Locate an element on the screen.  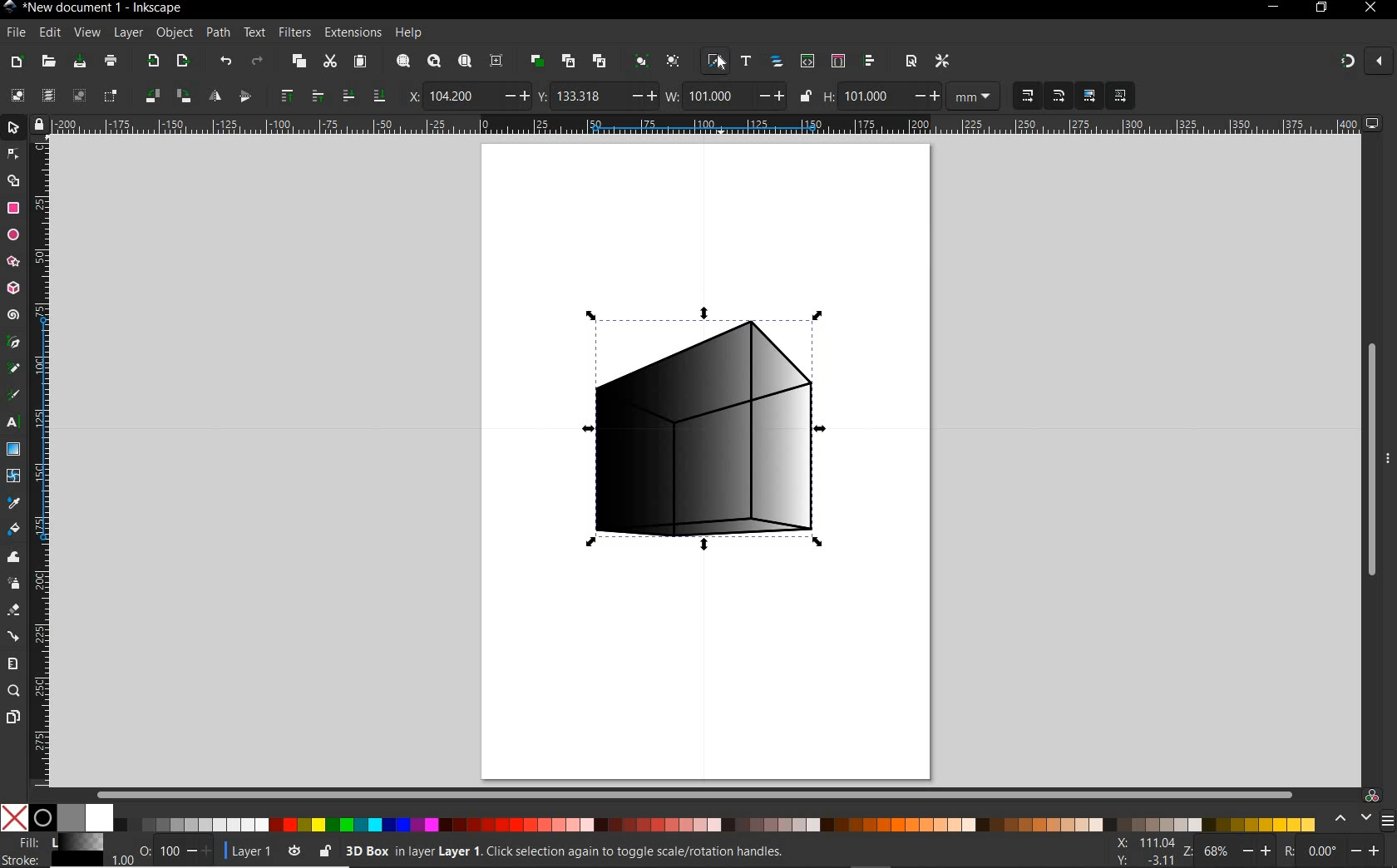
ZOOM TOOL is located at coordinates (15, 690).